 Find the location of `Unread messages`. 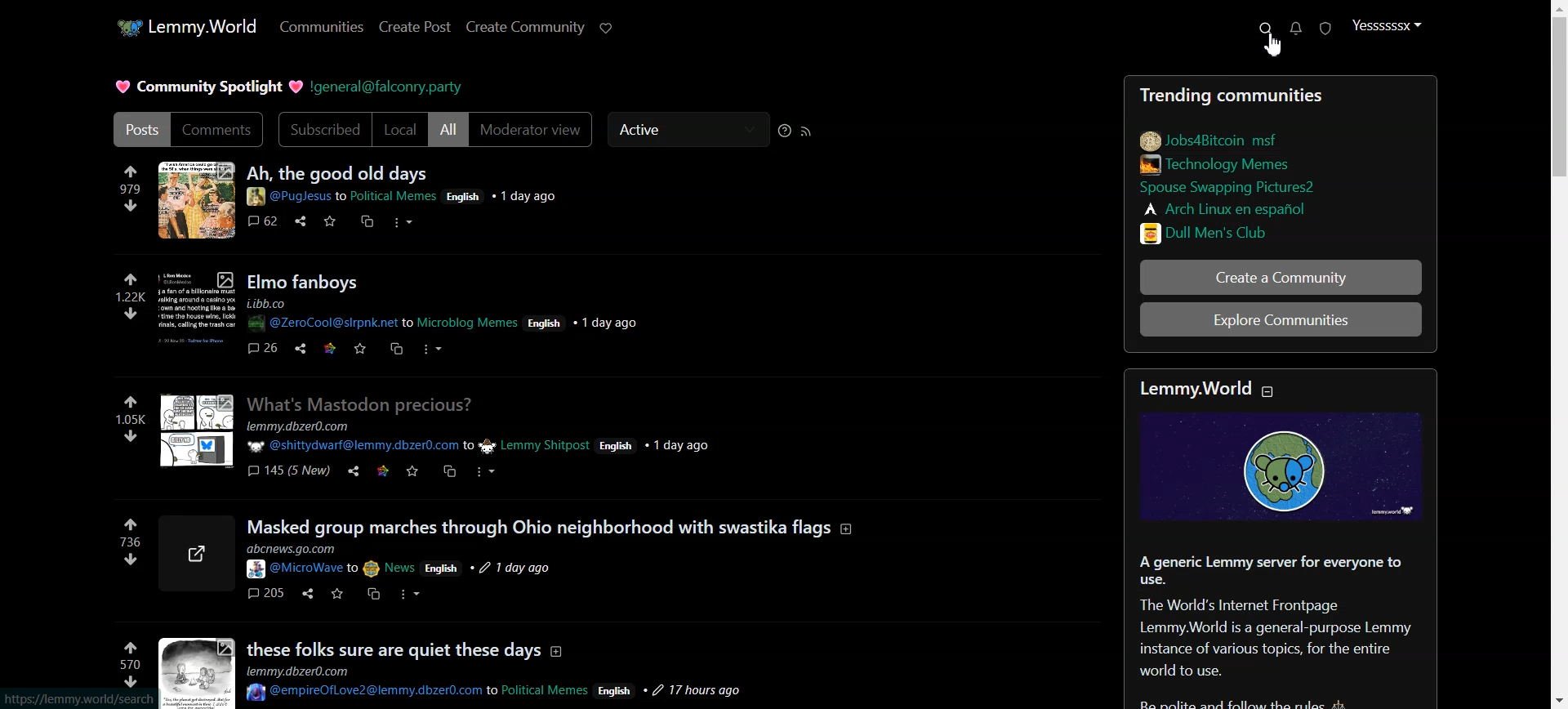

Unread messages is located at coordinates (1296, 29).